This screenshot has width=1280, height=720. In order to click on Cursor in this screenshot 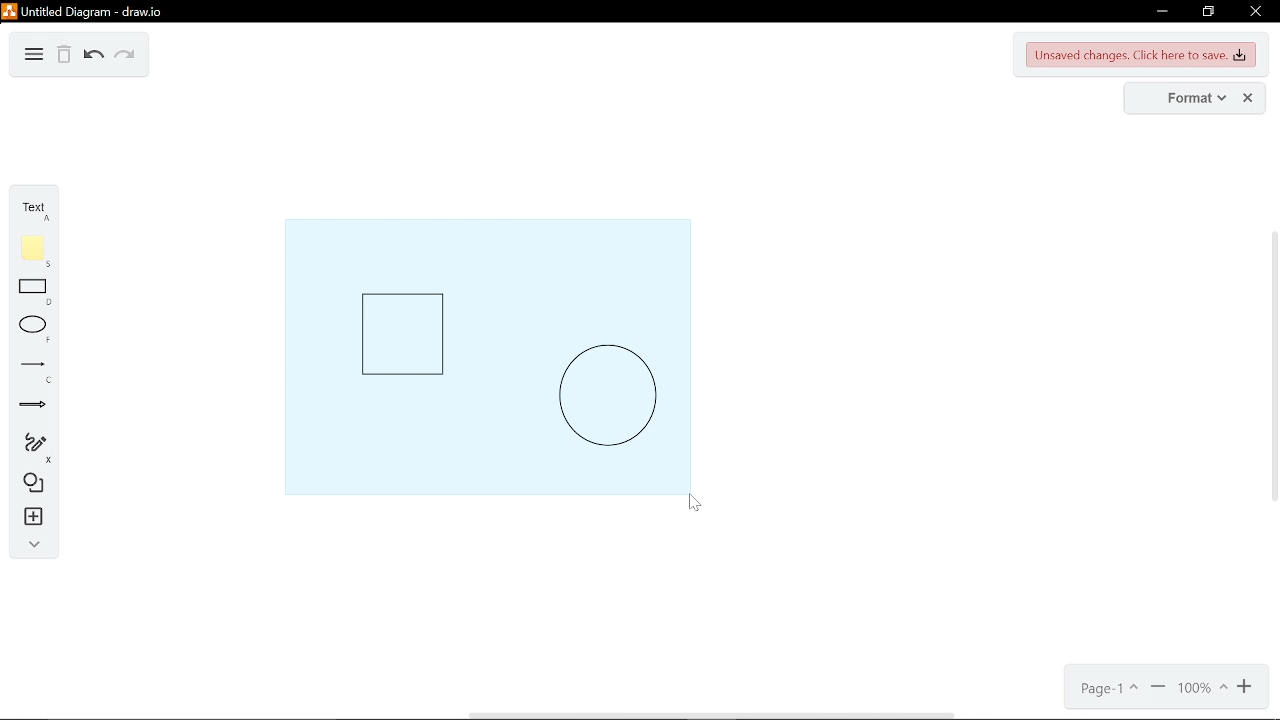, I will do `click(695, 504)`.